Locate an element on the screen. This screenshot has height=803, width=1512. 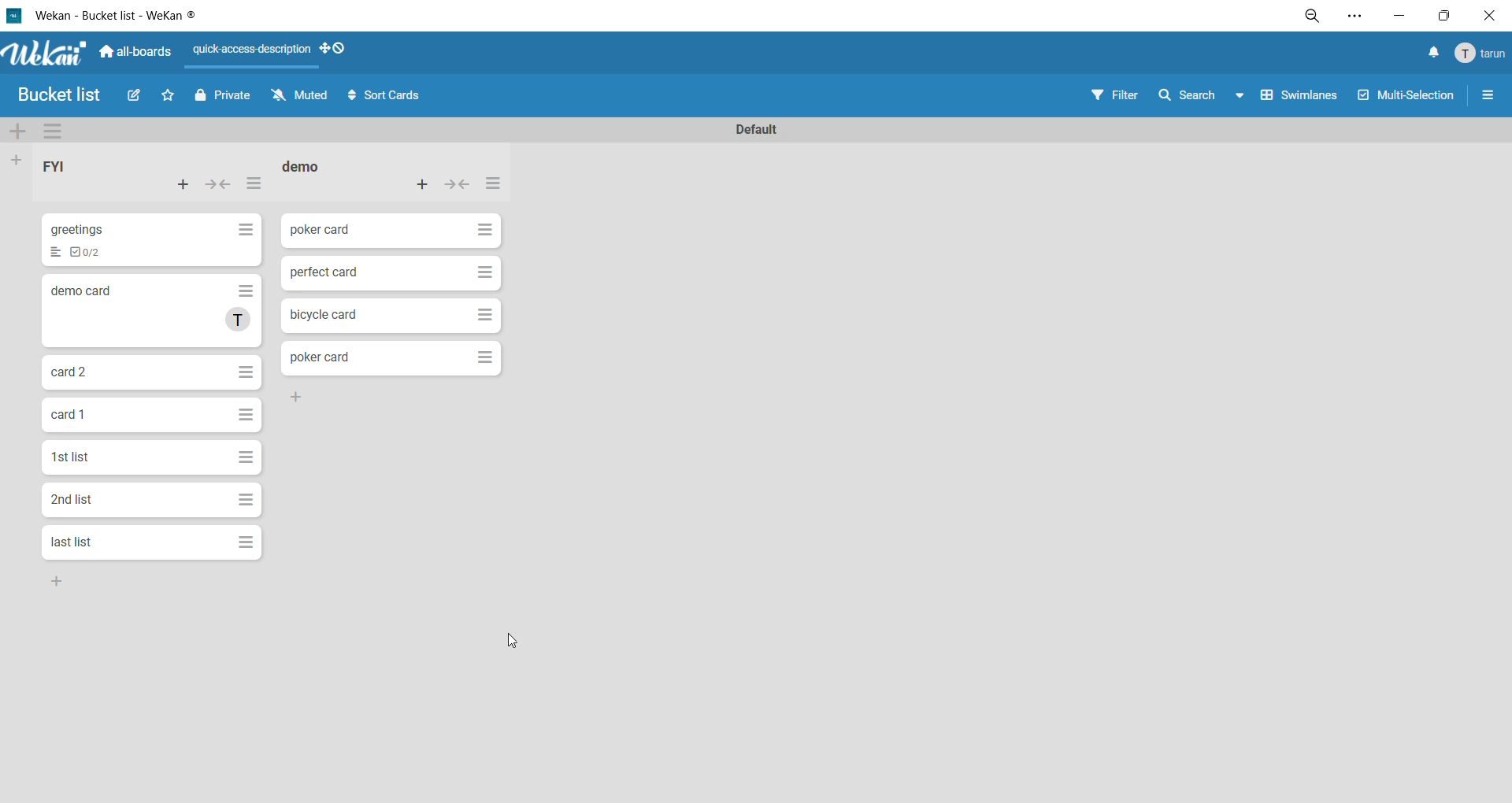
list actions is located at coordinates (491, 185).